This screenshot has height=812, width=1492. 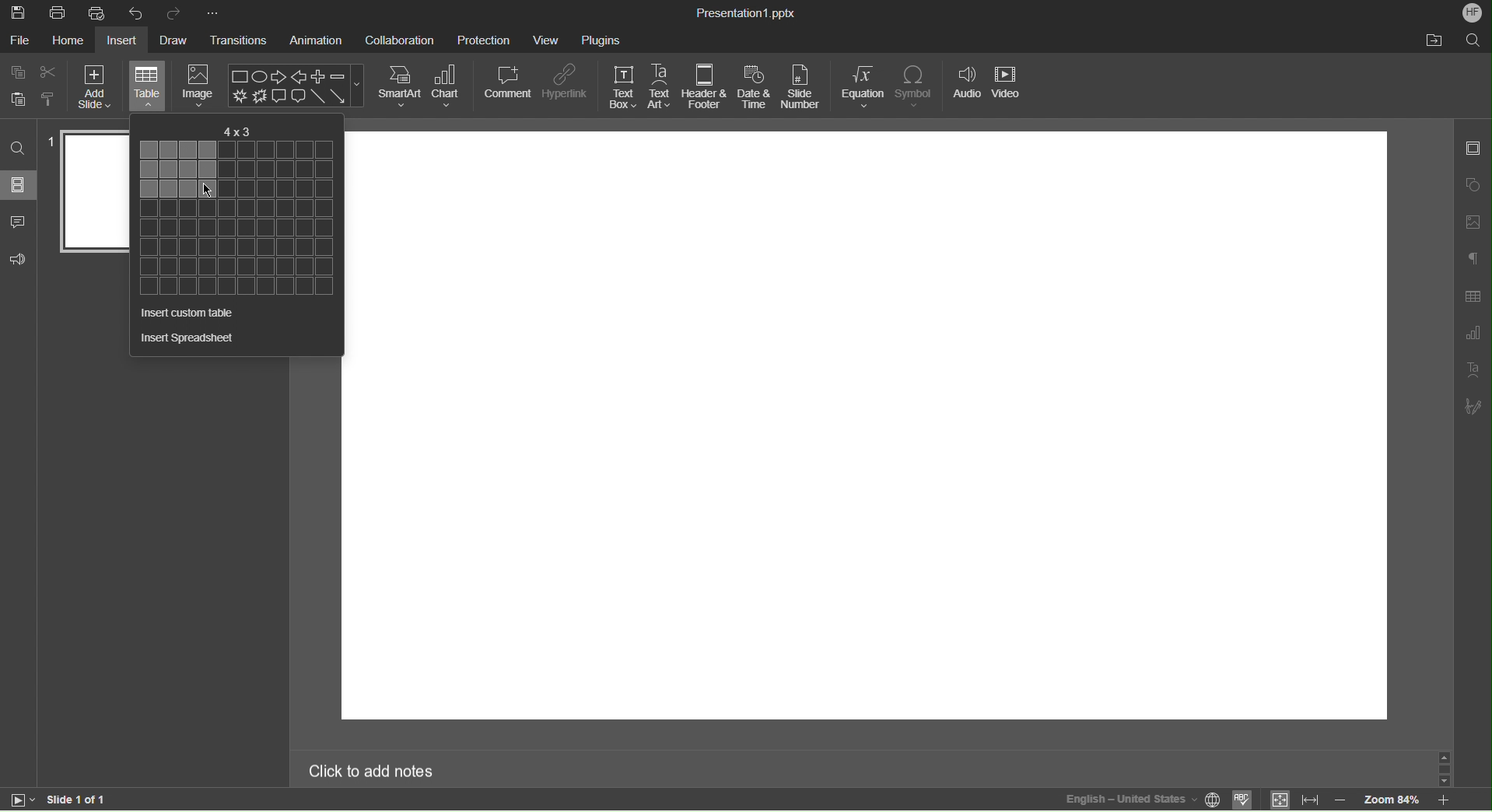 What do you see at coordinates (660, 86) in the screenshot?
I see `Text Art` at bounding box center [660, 86].